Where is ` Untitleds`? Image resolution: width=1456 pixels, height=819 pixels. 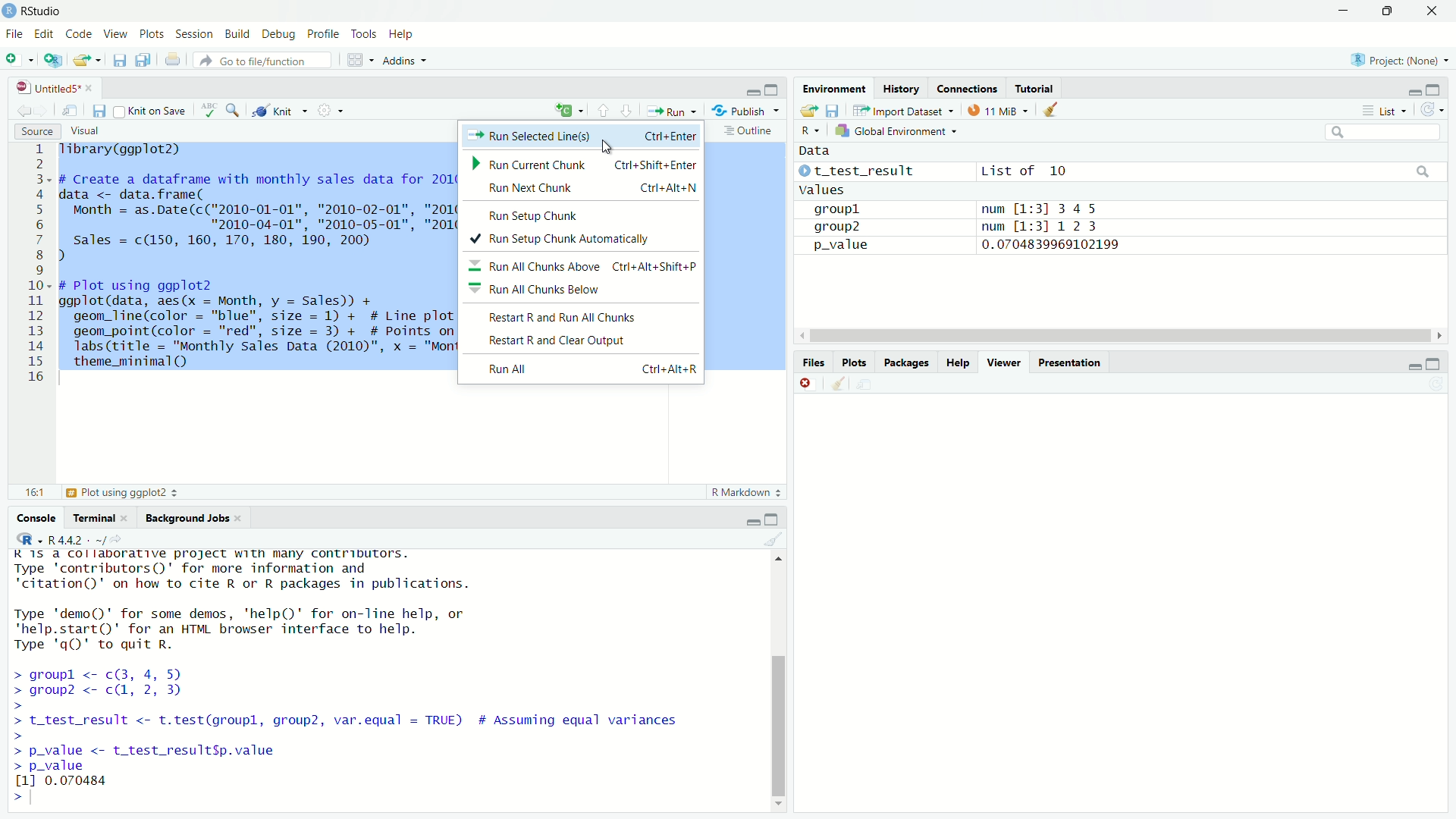  Untitleds is located at coordinates (55, 86).